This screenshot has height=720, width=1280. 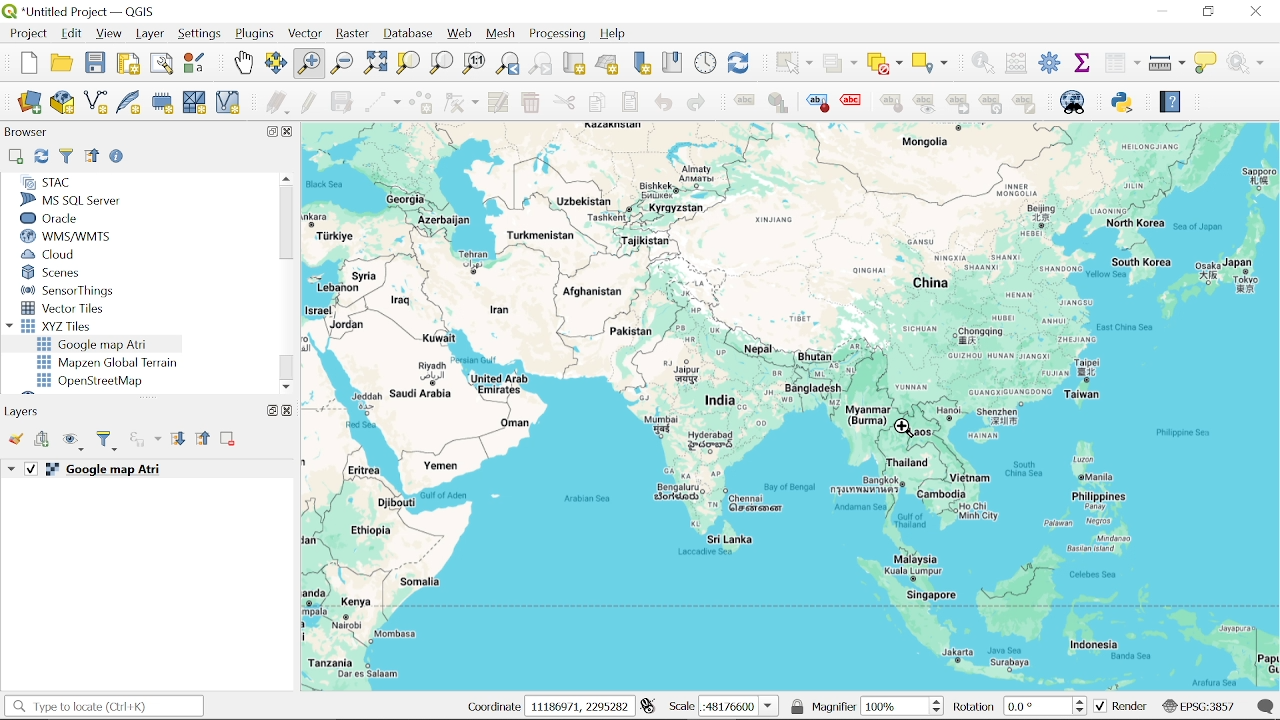 I want to click on Browser, so click(x=26, y=134).